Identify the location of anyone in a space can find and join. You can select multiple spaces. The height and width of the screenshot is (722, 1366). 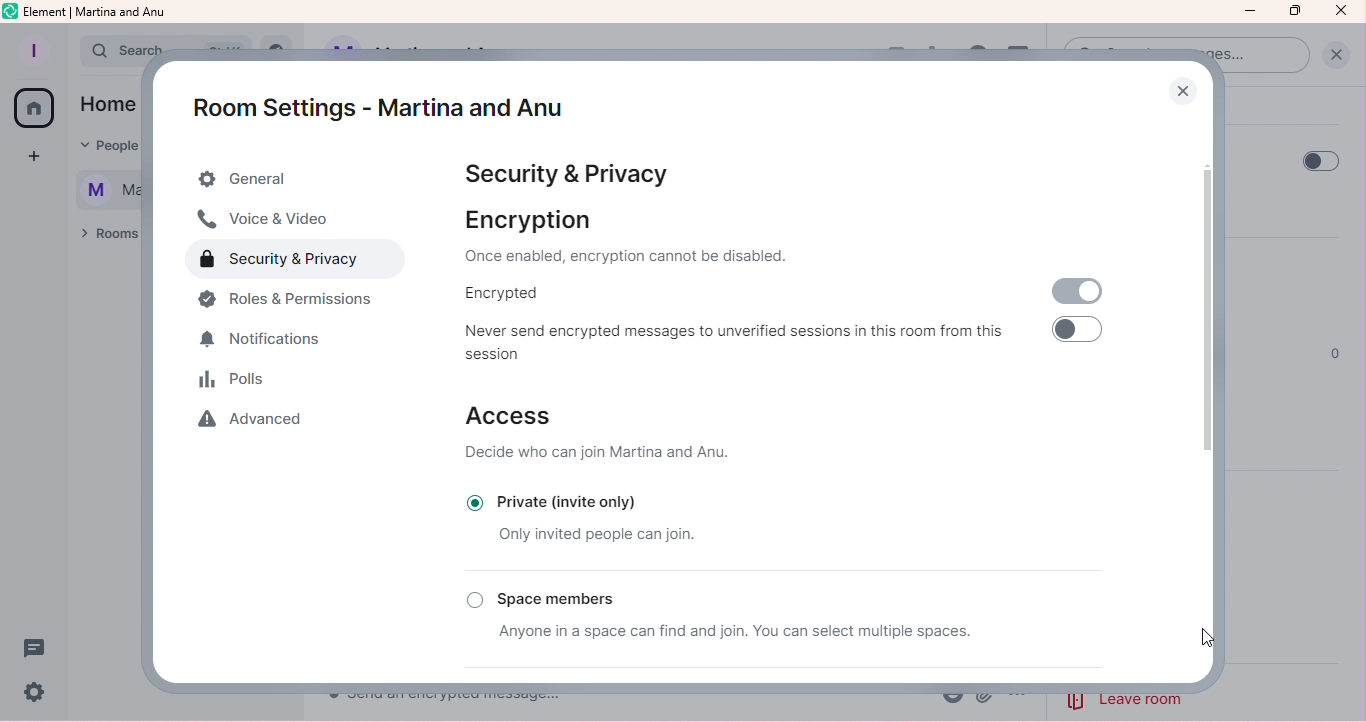
(724, 632).